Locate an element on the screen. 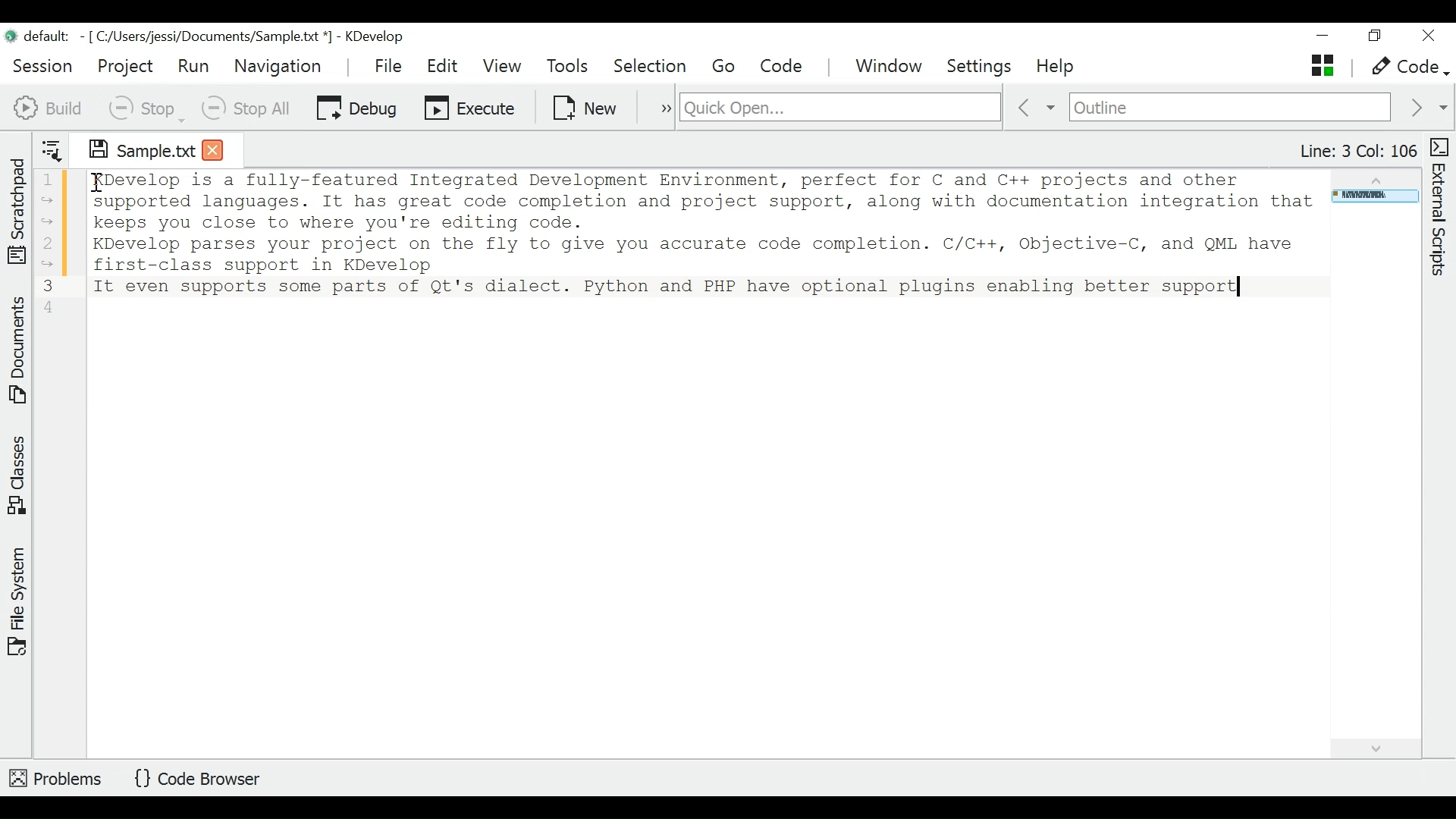 The width and height of the screenshot is (1456, 819). Documents is located at coordinates (20, 353).